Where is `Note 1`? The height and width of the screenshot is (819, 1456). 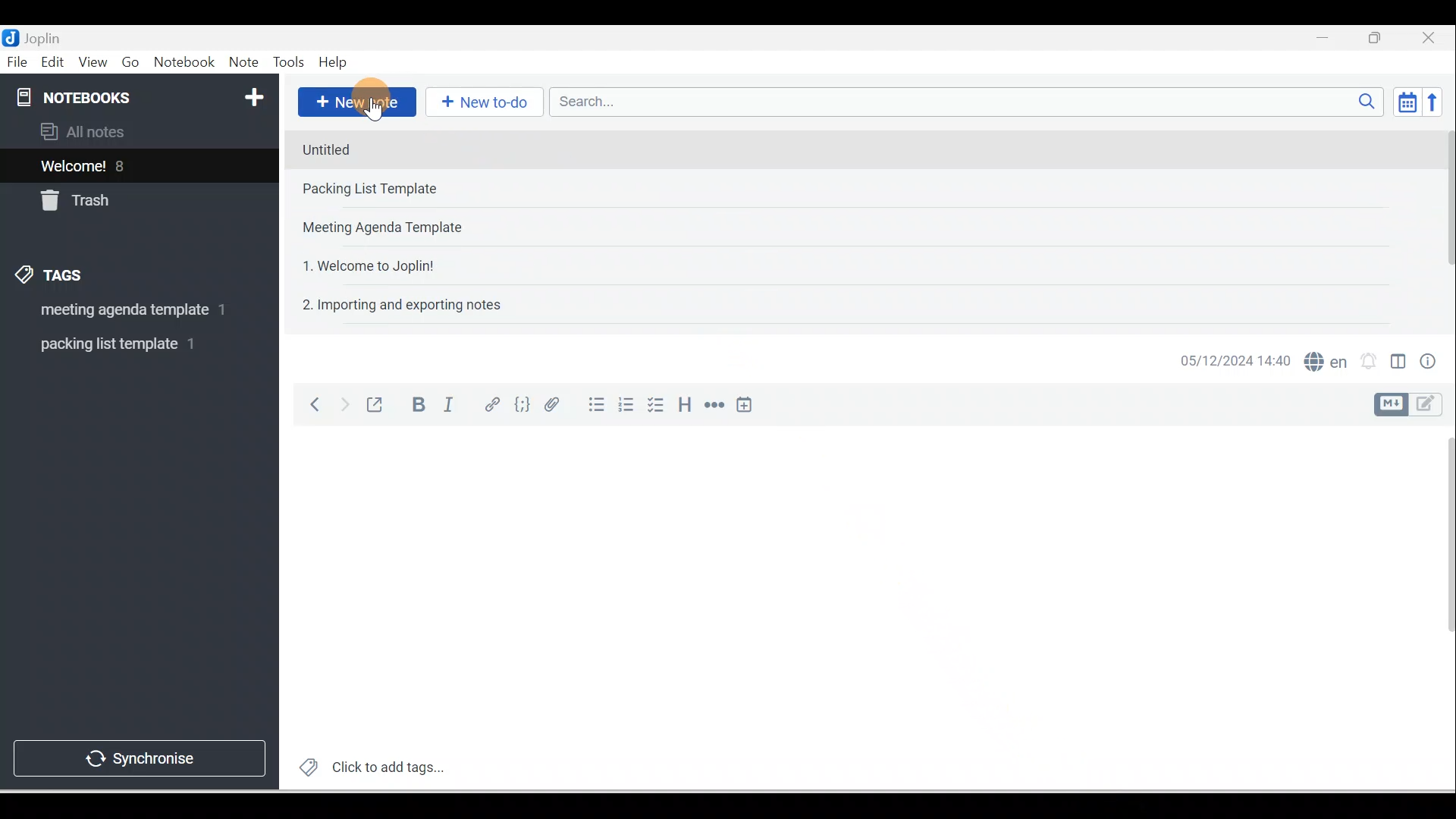
Note 1 is located at coordinates (416, 149).